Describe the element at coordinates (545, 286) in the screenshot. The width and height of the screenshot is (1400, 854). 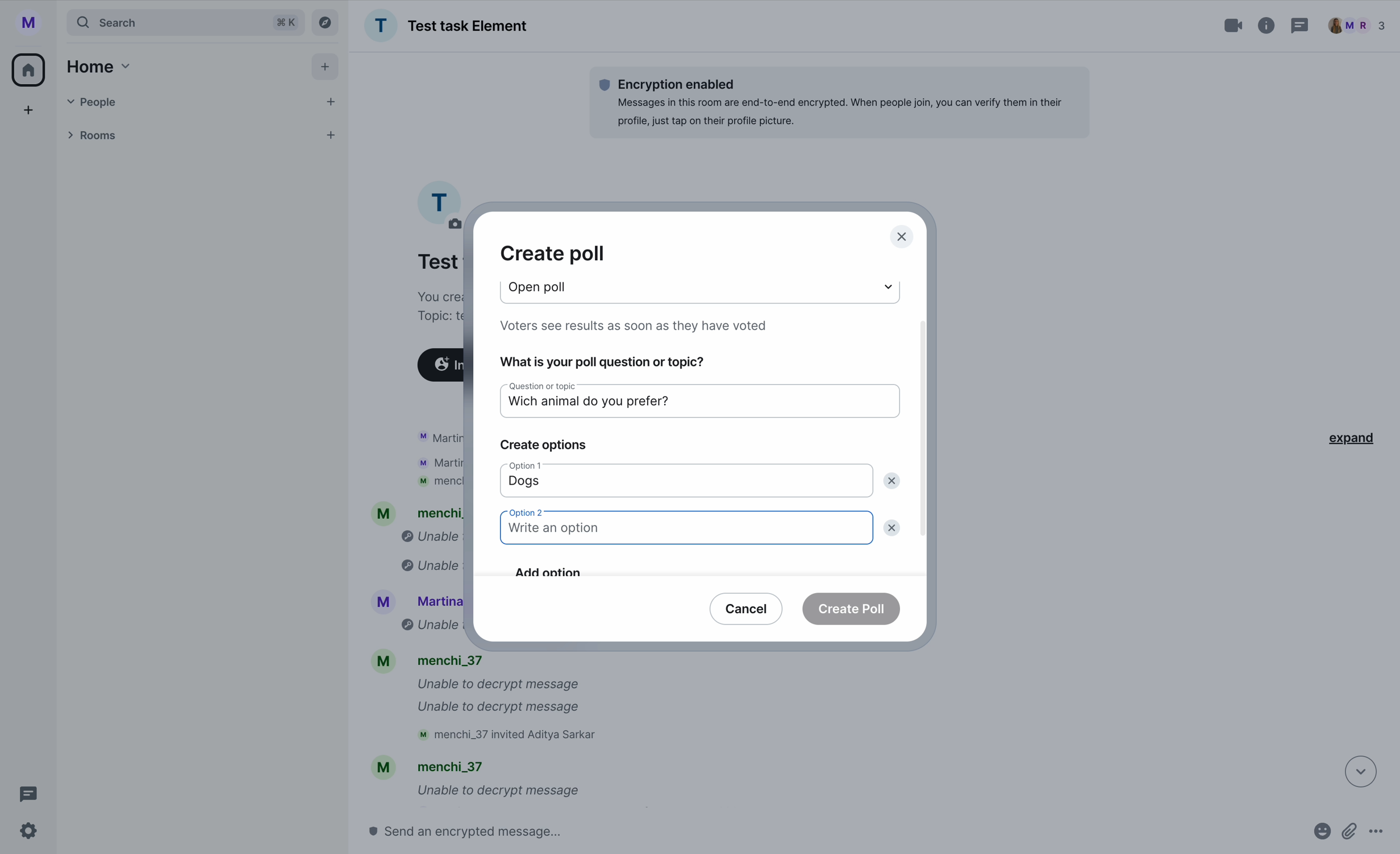
I see `poll type` at that location.